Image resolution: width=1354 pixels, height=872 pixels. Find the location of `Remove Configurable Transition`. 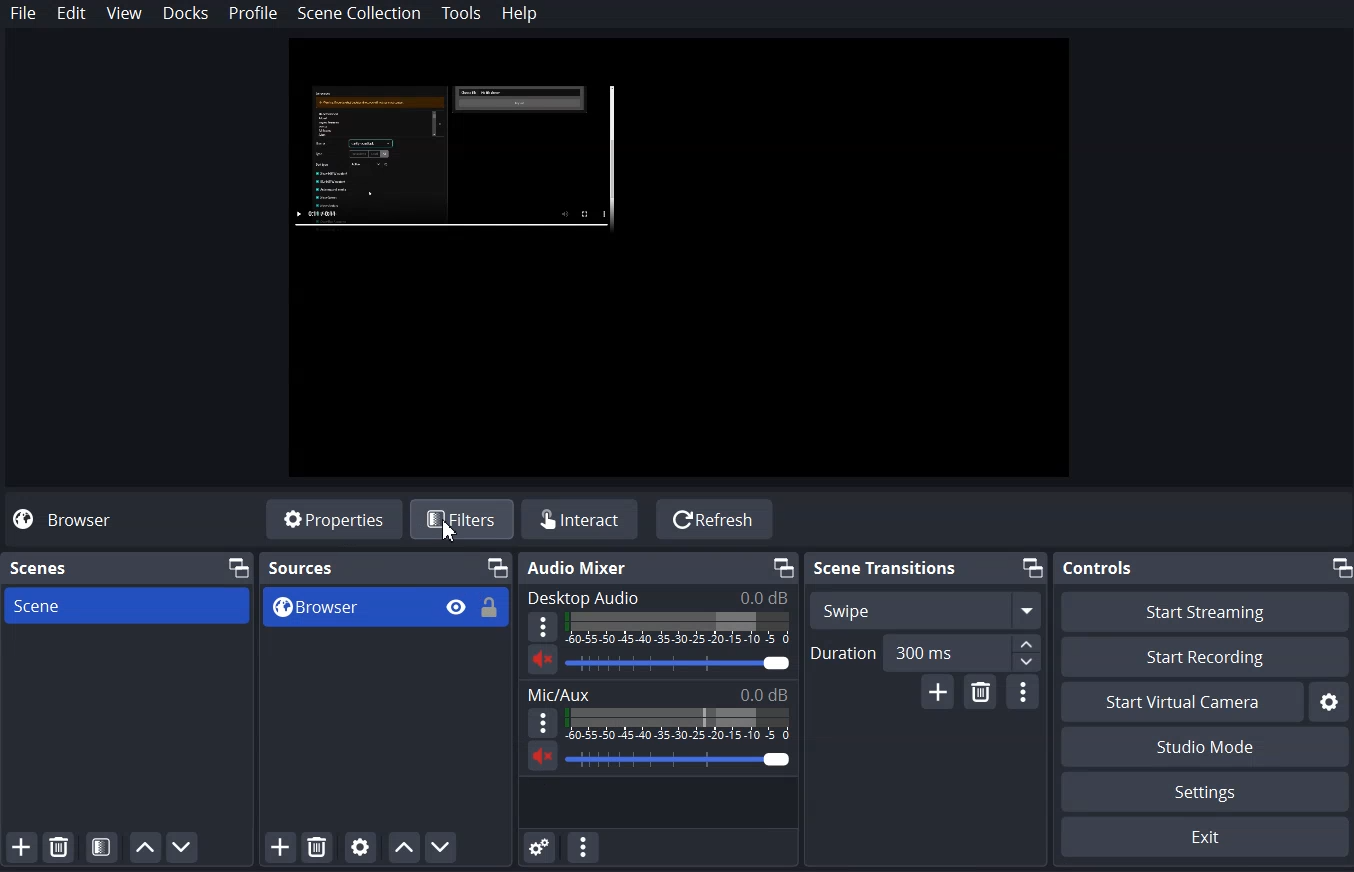

Remove Configurable Transition is located at coordinates (980, 692).